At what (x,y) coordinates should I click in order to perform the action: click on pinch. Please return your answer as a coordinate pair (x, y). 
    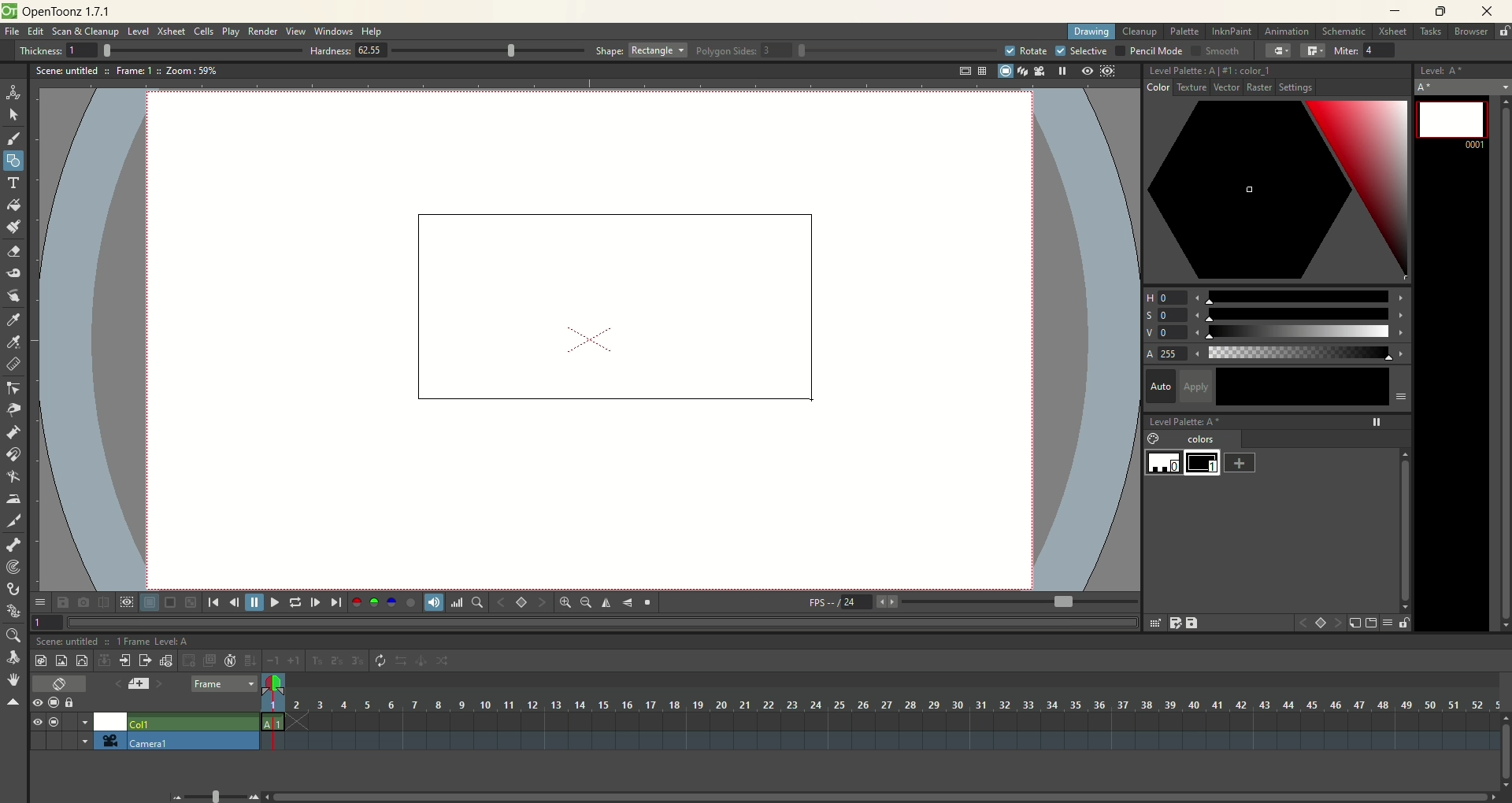
    Looking at the image, I should click on (14, 409).